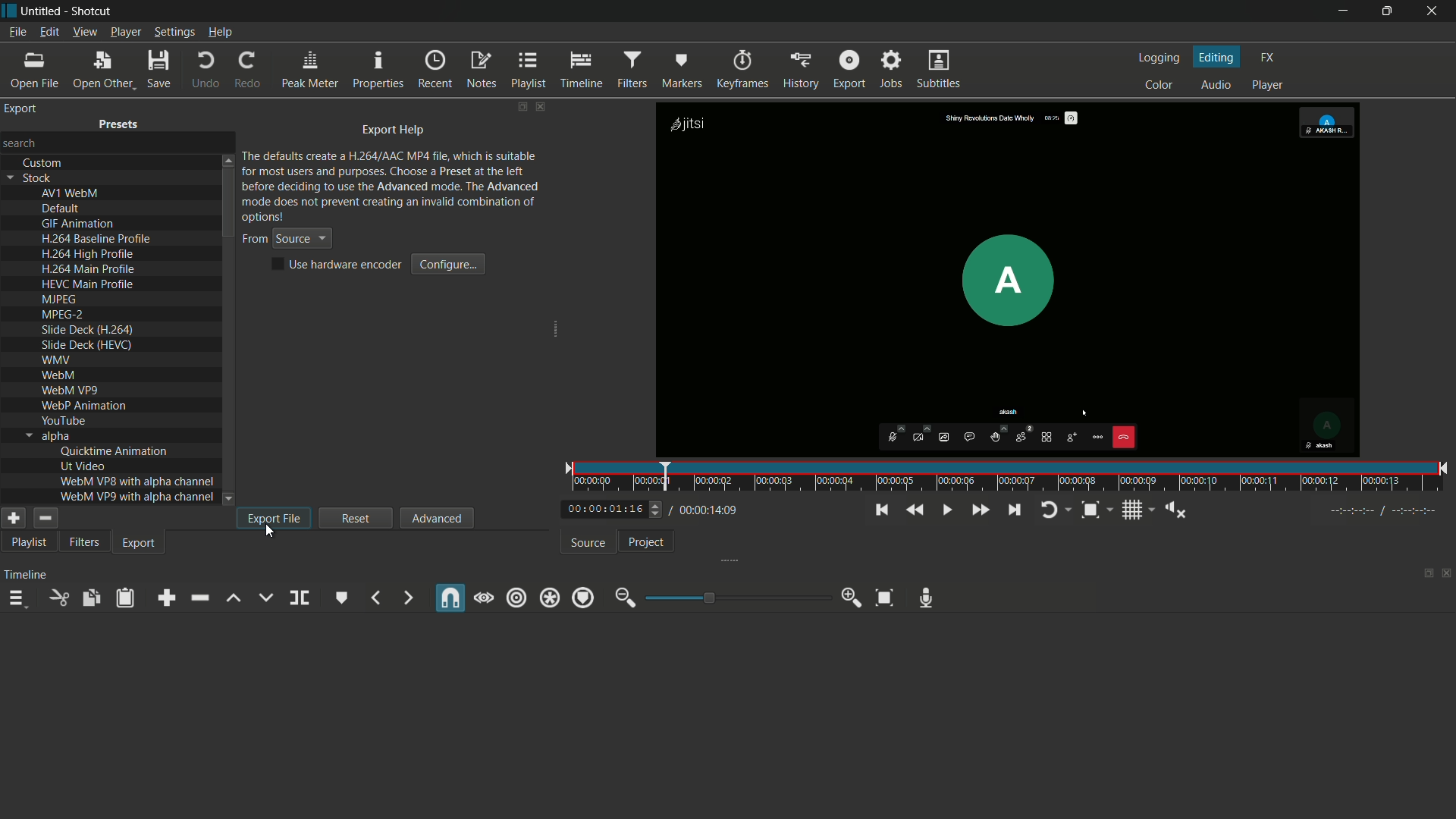  Describe the element at coordinates (1433, 11) in the screenshot. I see `close app` at that location.